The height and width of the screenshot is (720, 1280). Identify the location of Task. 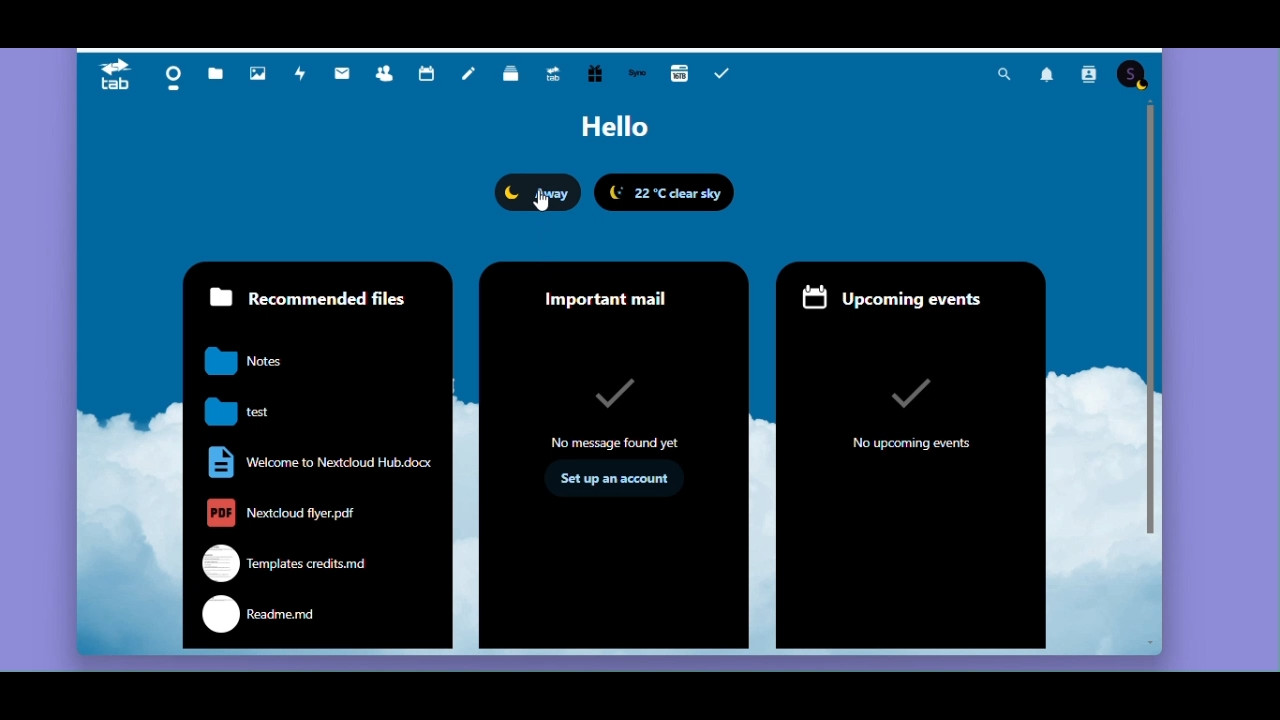
(725, 73).